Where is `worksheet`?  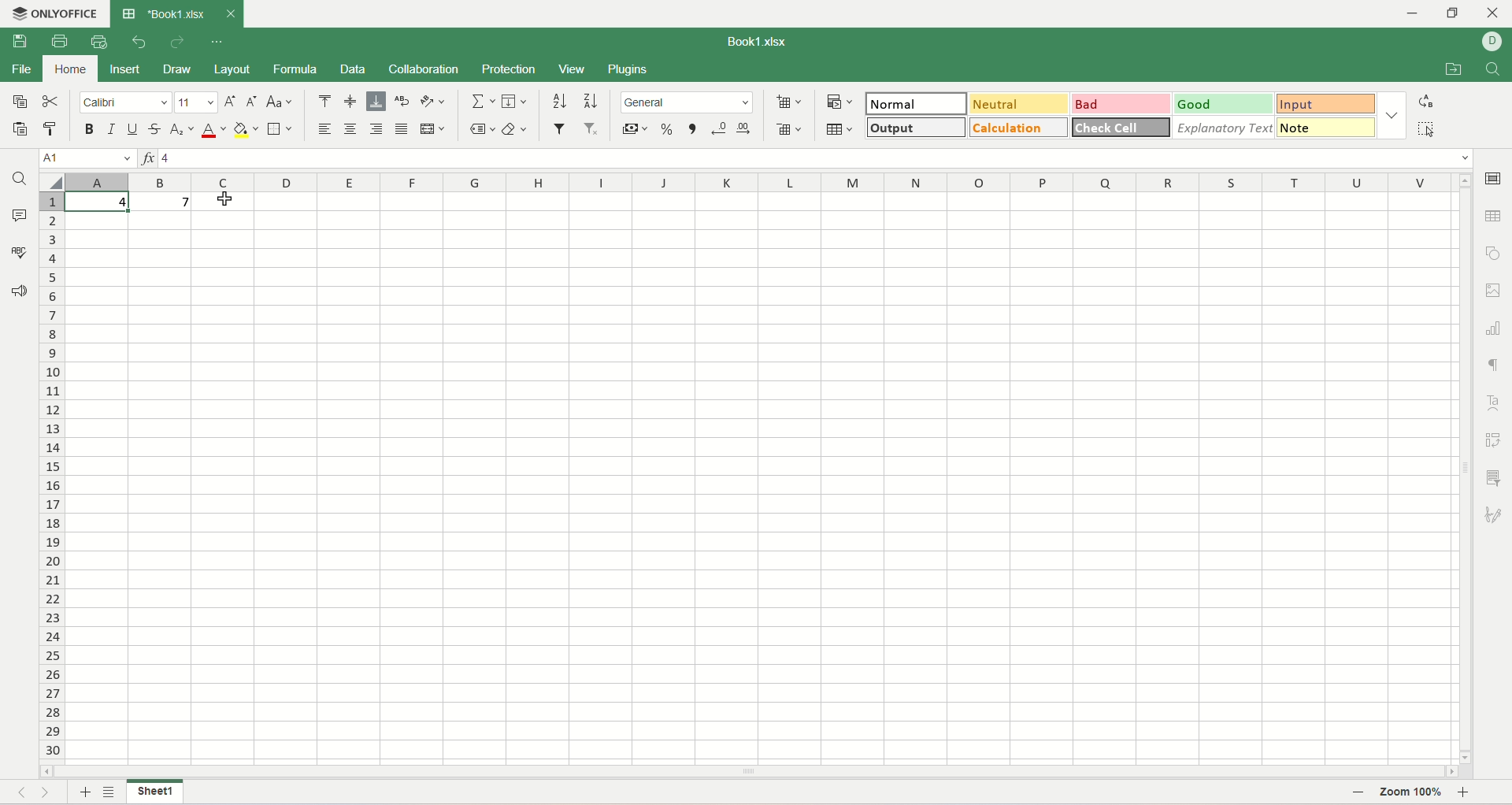 worksheet is located at coordinates (760, 479).